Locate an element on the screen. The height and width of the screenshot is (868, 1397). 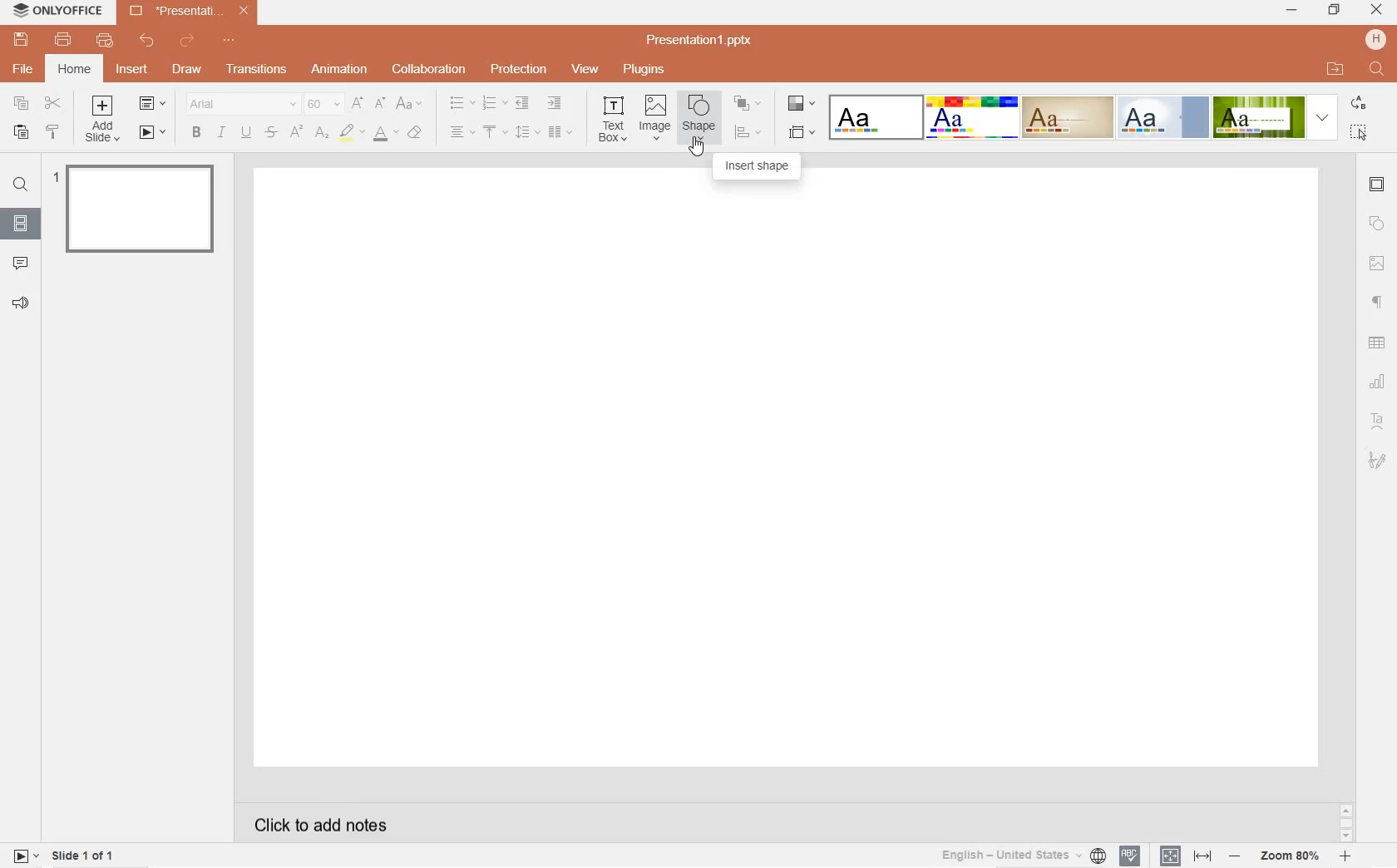
Cursor Position is located at coordinates (698, 146).